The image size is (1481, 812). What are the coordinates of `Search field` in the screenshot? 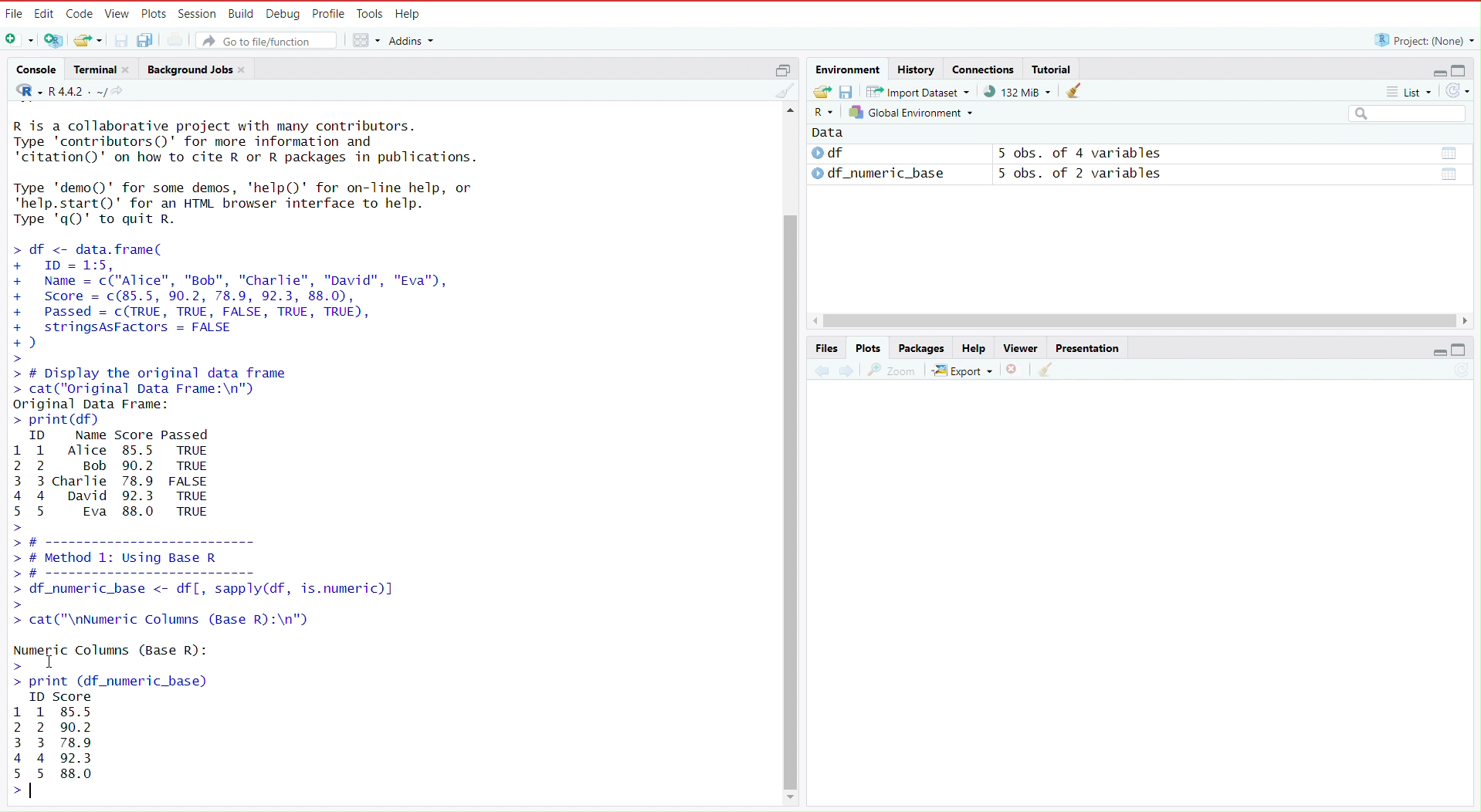 It's located at (1409, 112).